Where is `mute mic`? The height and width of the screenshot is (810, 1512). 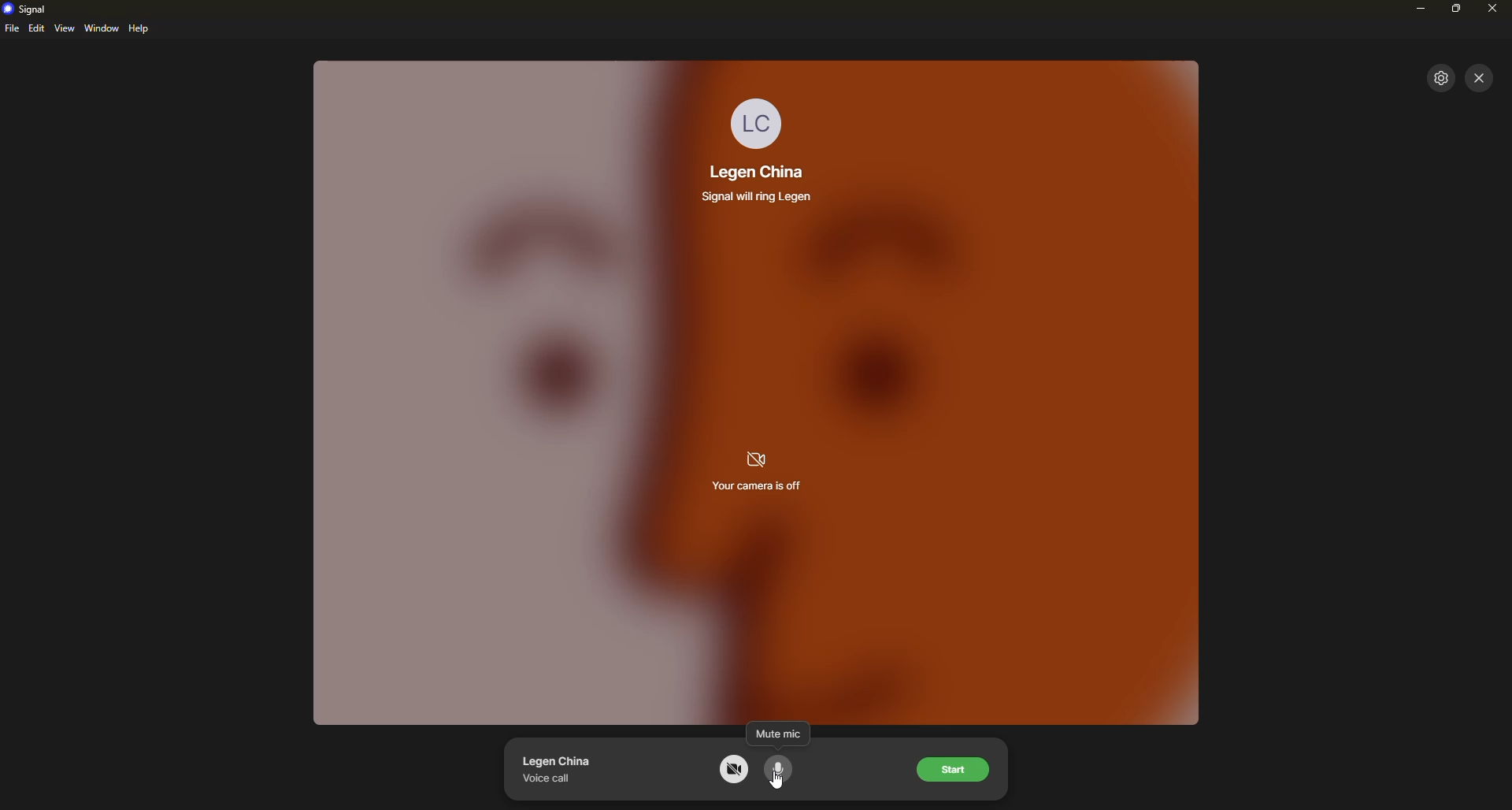 mute mic is located at coordinates (780, 770).